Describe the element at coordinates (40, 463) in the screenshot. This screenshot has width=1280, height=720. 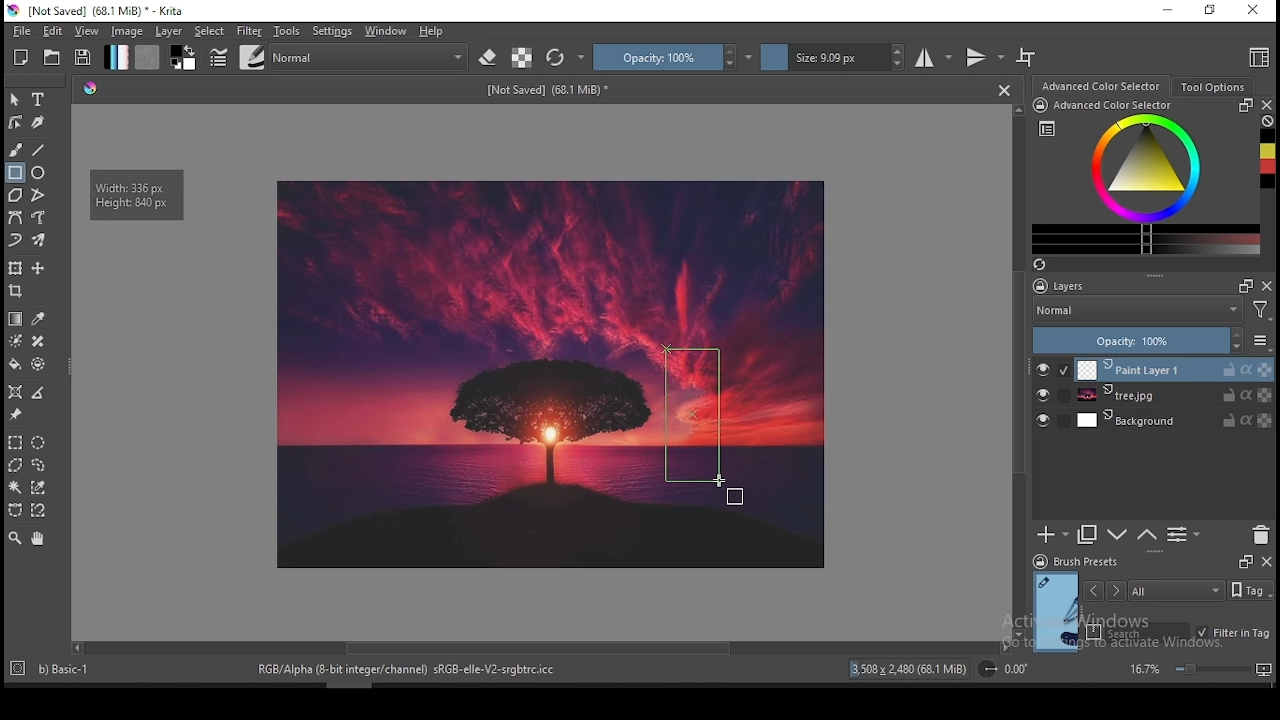
I see `freehand selection tool` at that location.